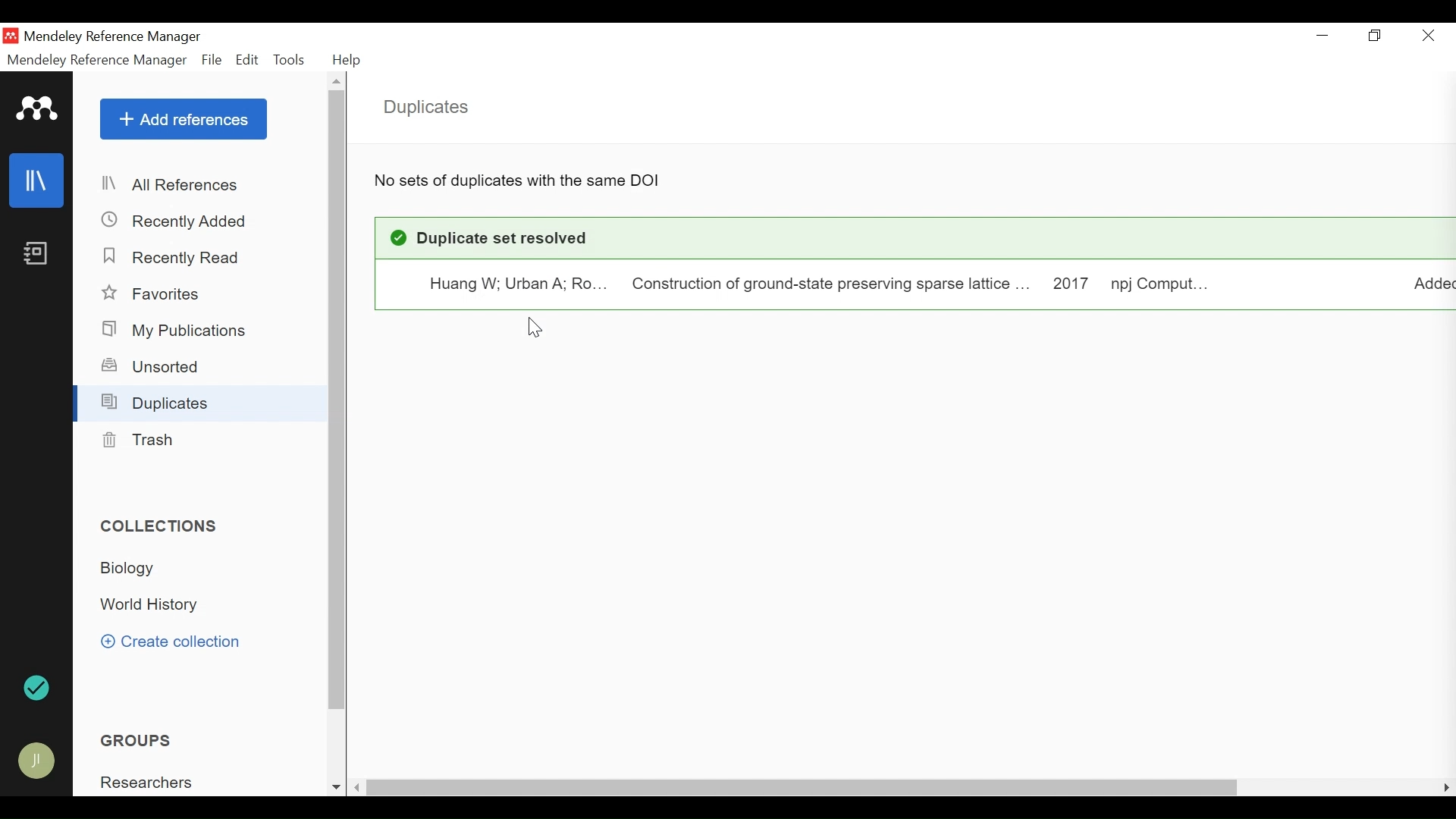 The width and height of the screenshot is (1456, 819). What do you see at coordinates (139, 740) in the screenshot?
I see `Groups` at bounding box center [139, 740].